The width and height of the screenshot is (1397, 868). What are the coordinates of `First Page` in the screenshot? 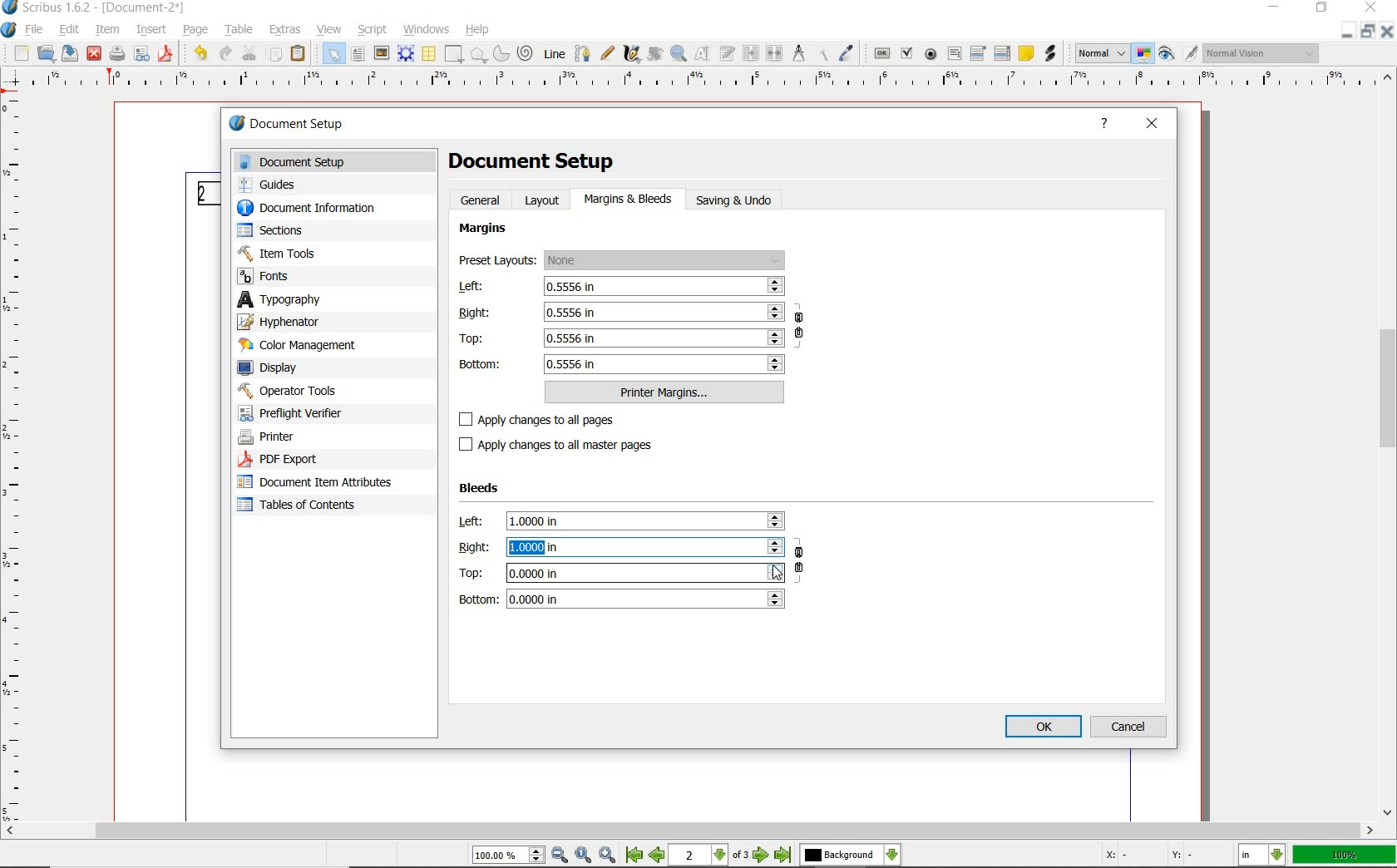 It's located at (634, 856).